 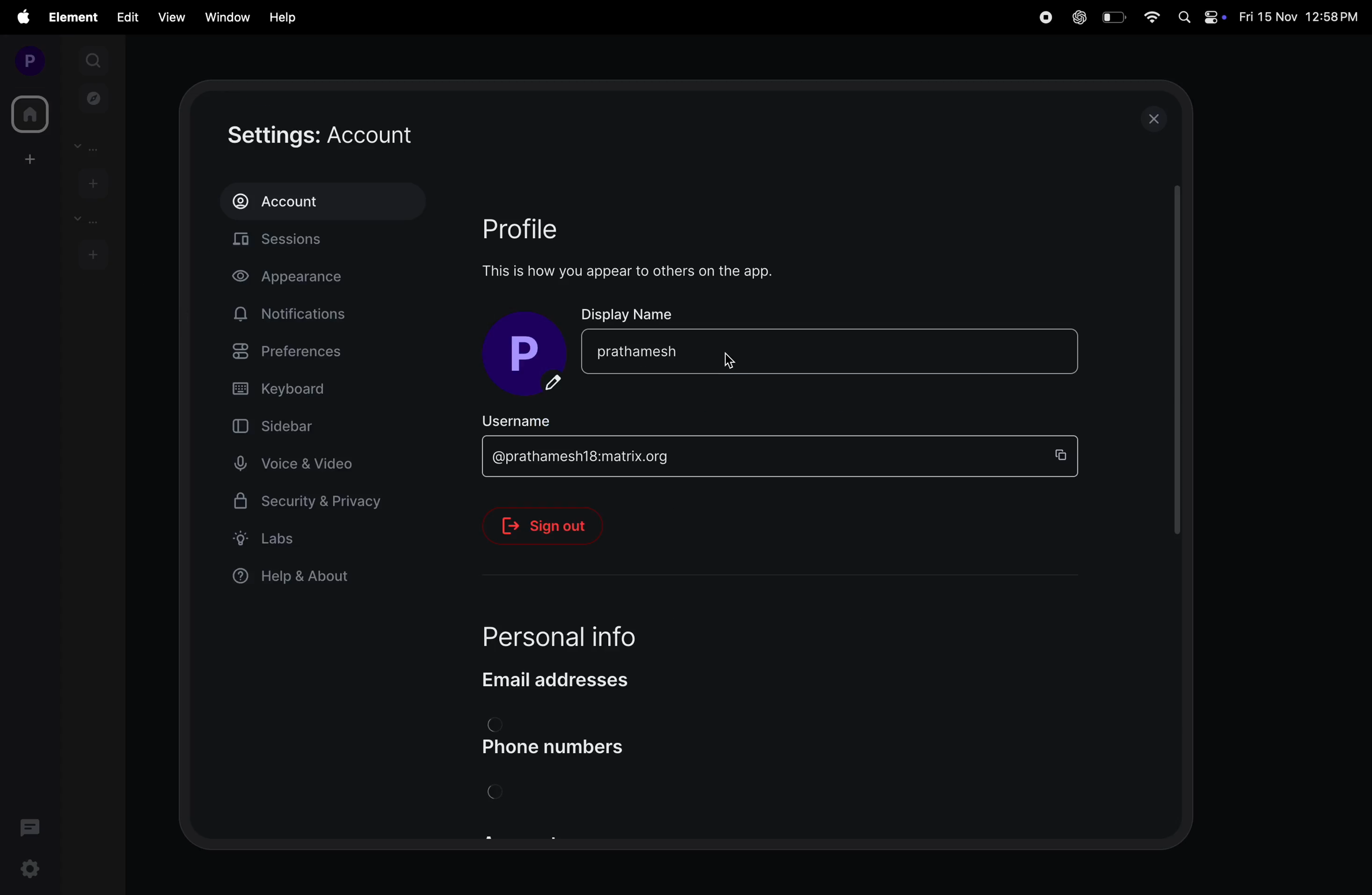 What do you see at coordinates (84, 220) in the screenshot?
I see `rooms` at bounding box center [84, 220].